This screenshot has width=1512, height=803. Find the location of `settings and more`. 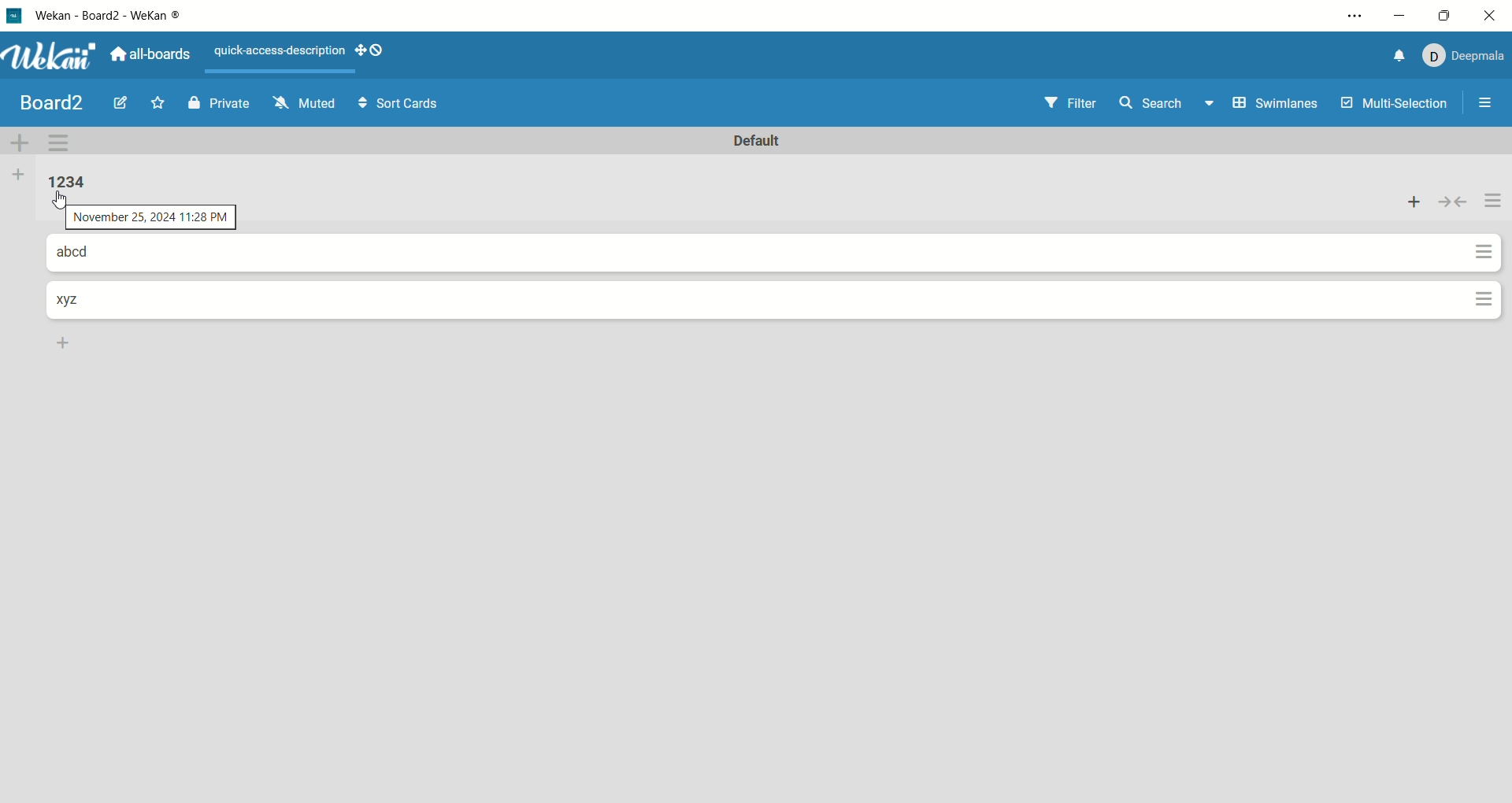

settings and more is located at coordinates (1354, 18).